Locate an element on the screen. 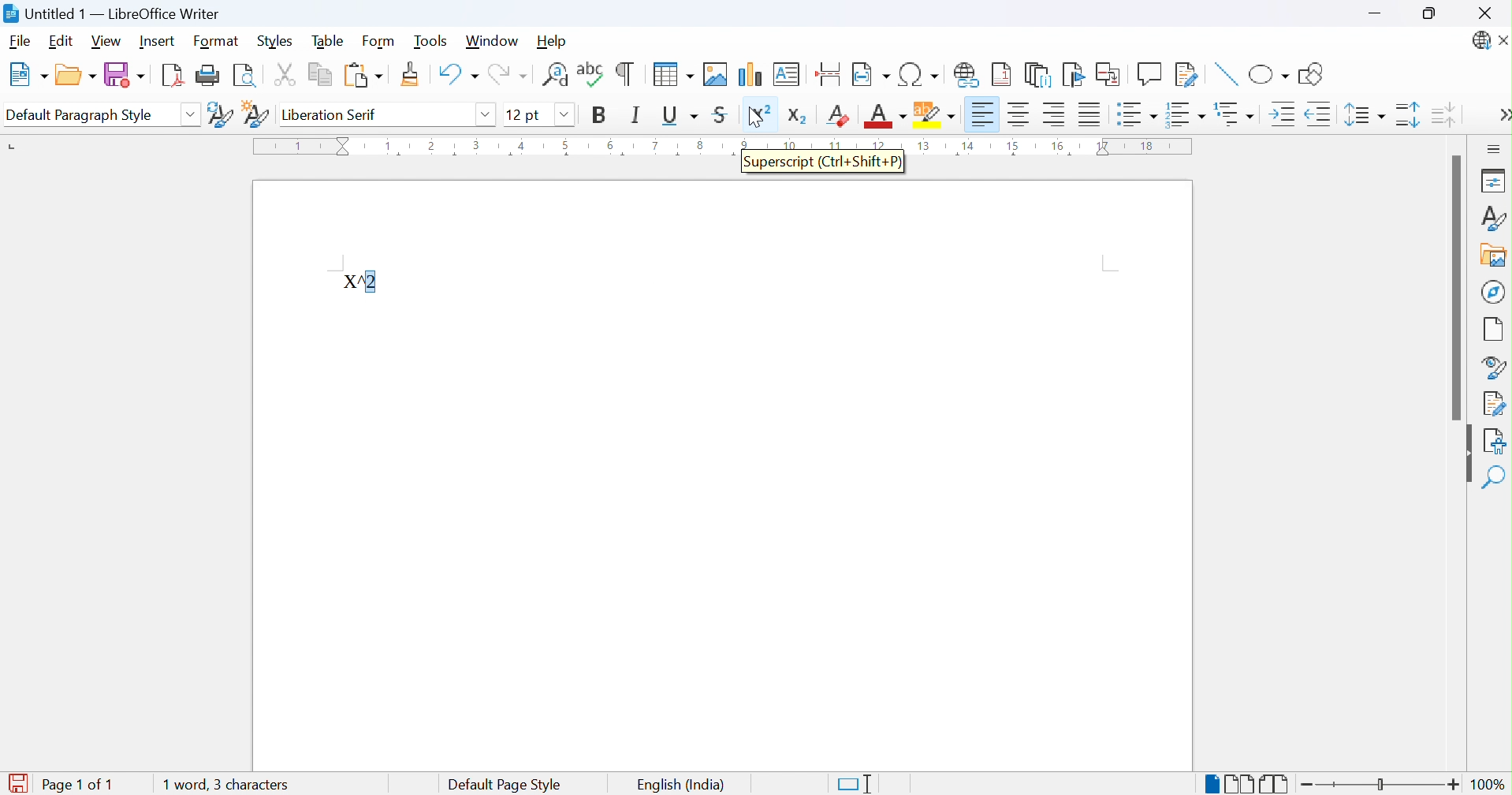  Book view is located at coordinates (1279, 784).